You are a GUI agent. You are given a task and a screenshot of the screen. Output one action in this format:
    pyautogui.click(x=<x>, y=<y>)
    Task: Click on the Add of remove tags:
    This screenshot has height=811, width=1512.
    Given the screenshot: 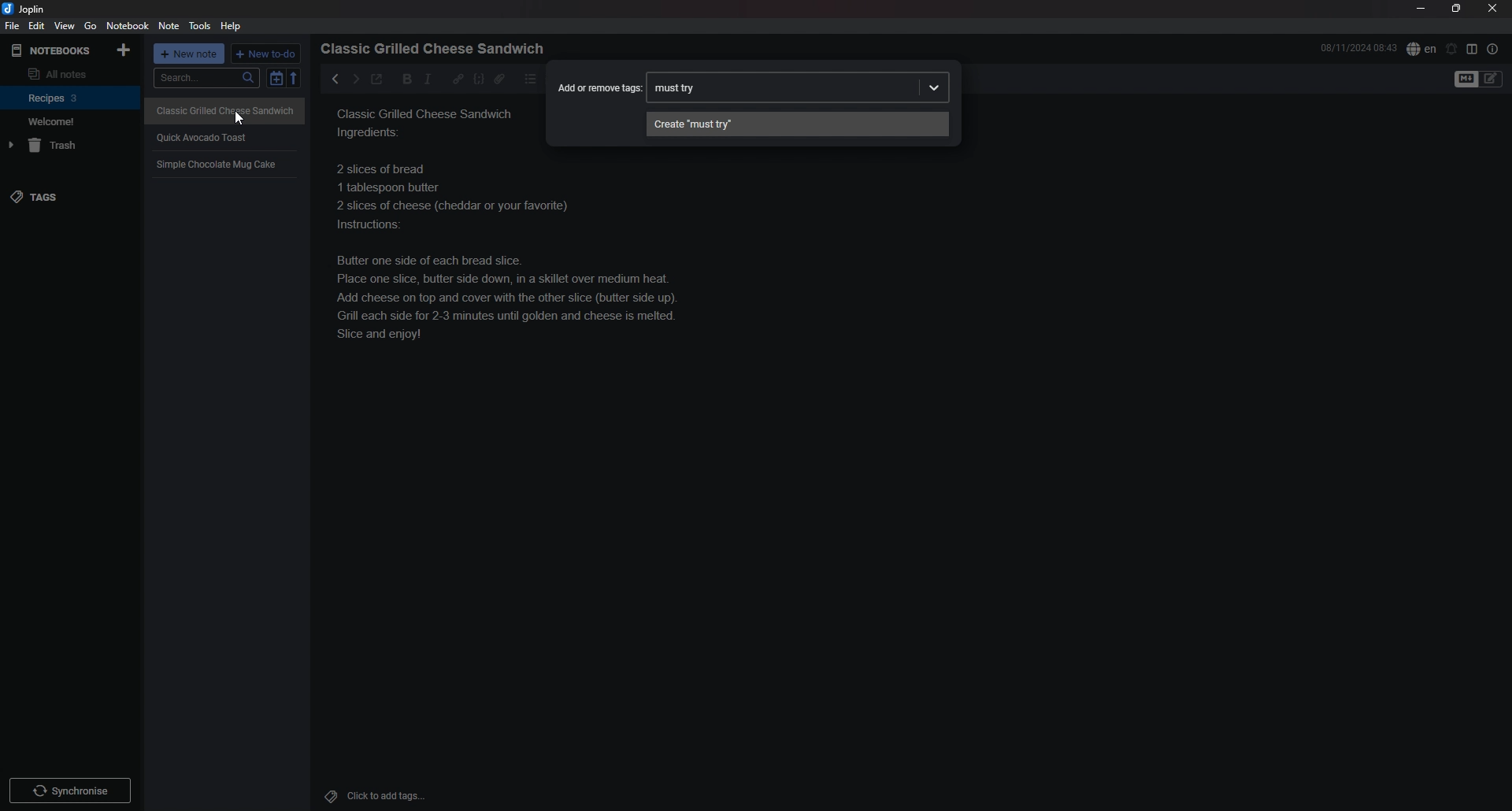 What is the action you would take?
    pyautogui.click(x=598, y=87)
    